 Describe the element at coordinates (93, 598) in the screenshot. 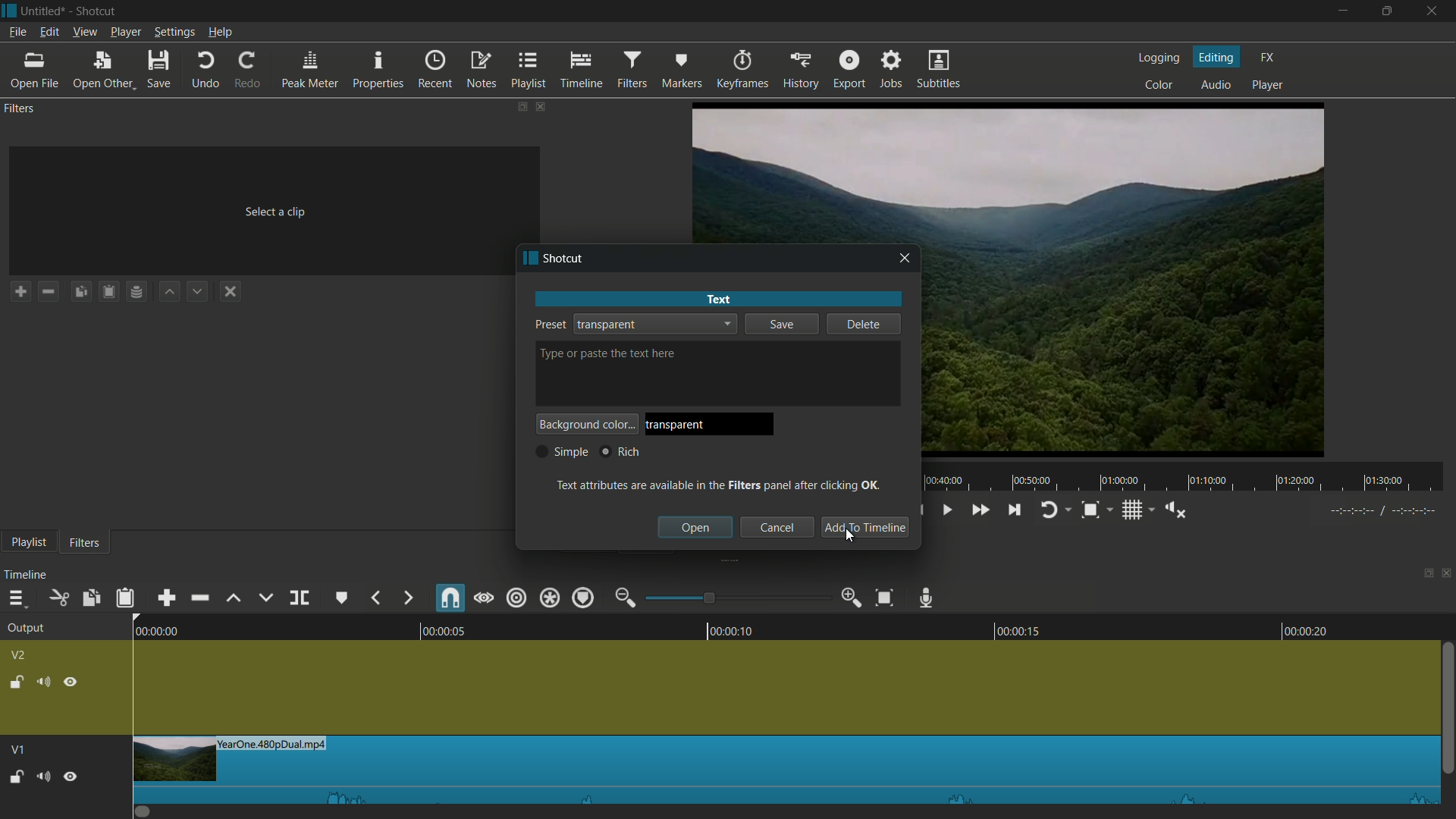

I see `copy` at that location.